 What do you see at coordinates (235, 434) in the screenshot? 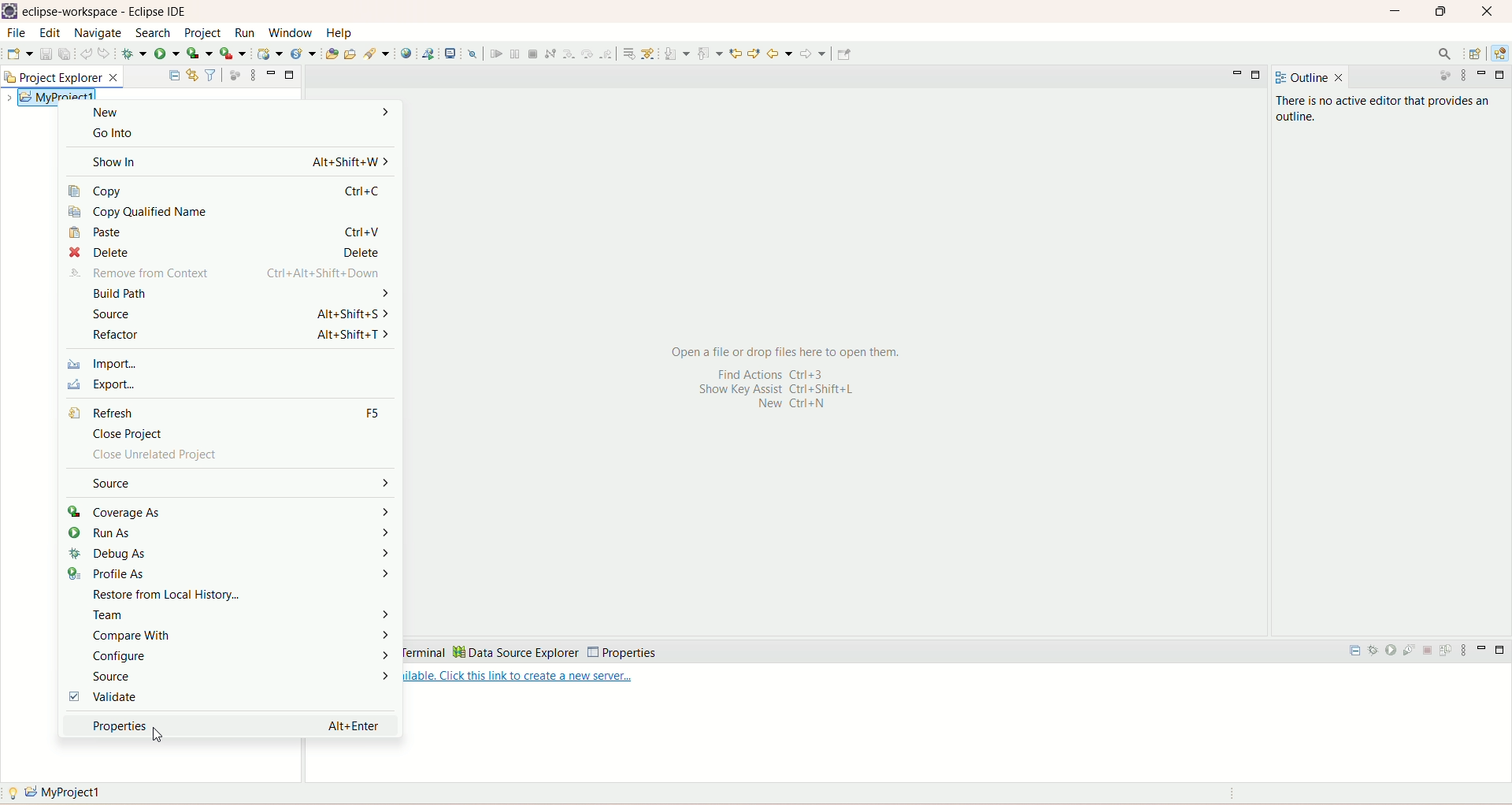
I see `close project` at bounding box center [235, 434].